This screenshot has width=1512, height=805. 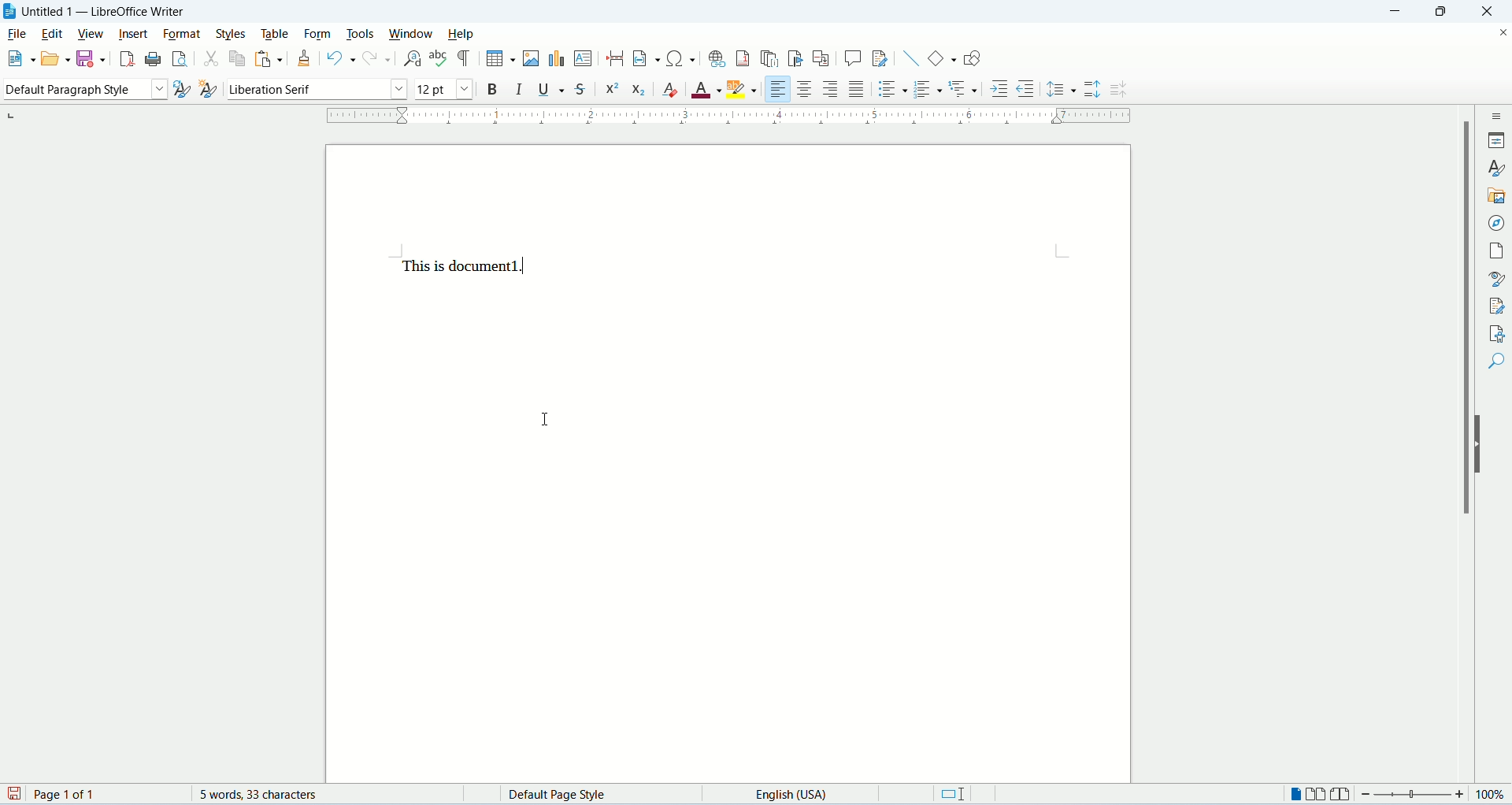 What do you see at coordinates (1493, 332) in the screenshot?
I see `accessibiltity check` at bounding box center [1493, 332].